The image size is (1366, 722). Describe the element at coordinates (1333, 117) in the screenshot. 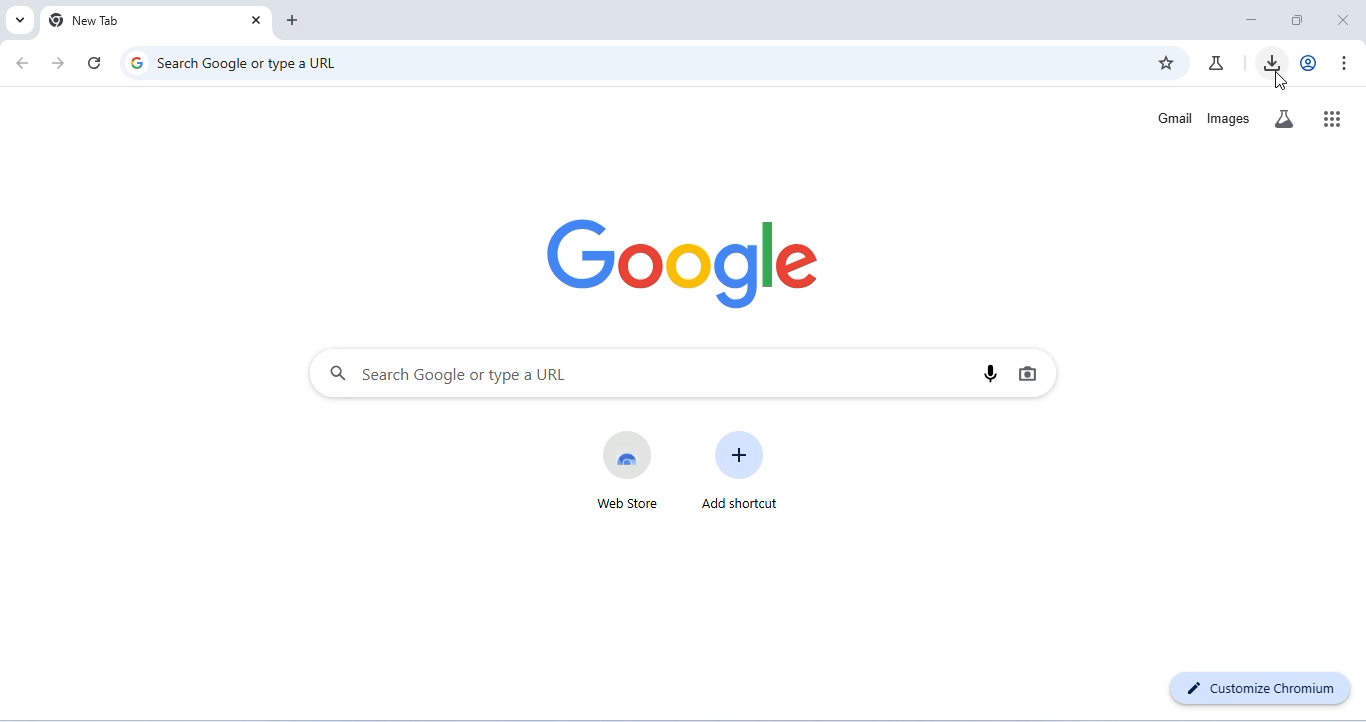

I see `google apps` at that location.